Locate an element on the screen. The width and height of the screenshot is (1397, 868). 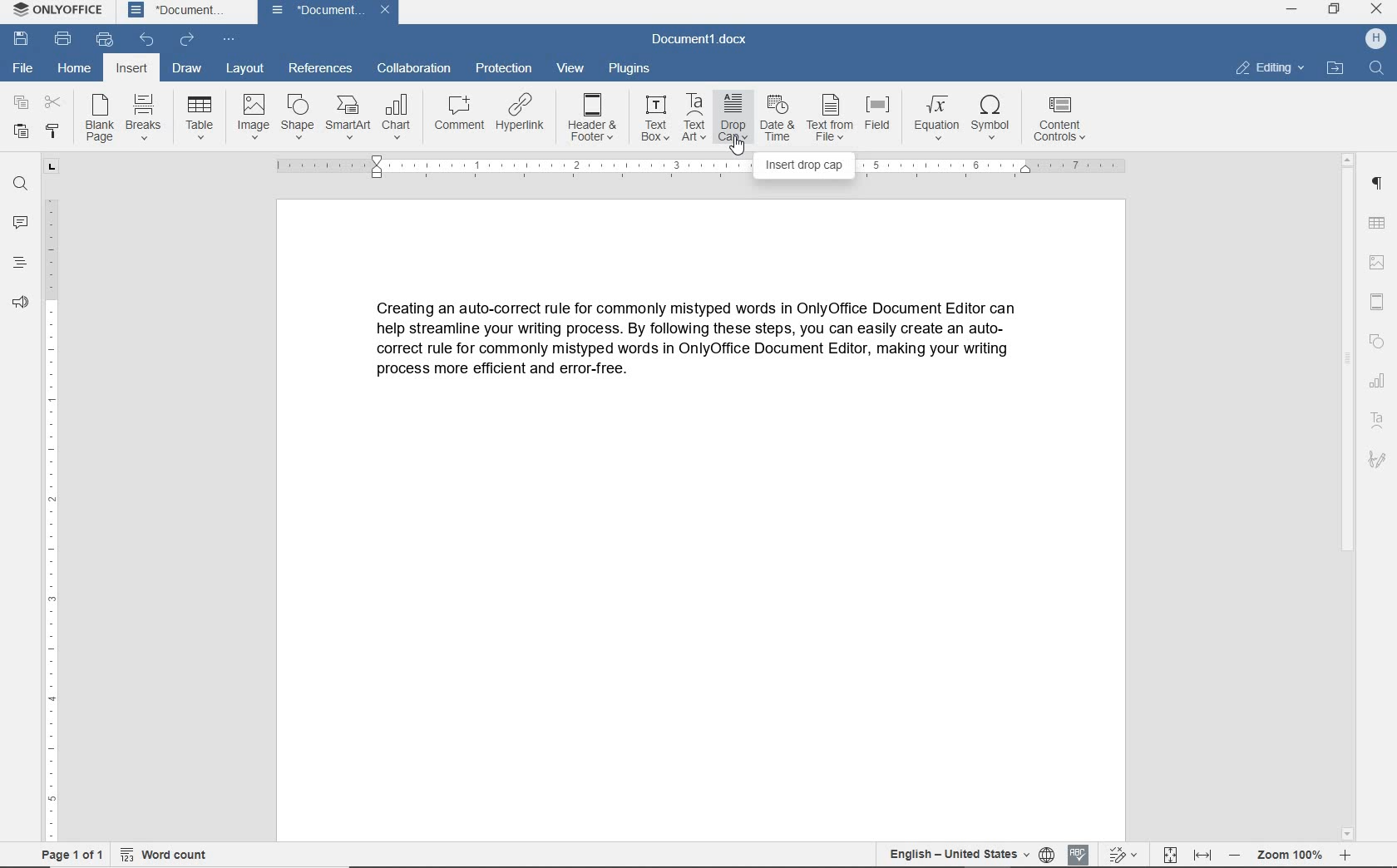
Cursor is located at coordinates (737, 150).